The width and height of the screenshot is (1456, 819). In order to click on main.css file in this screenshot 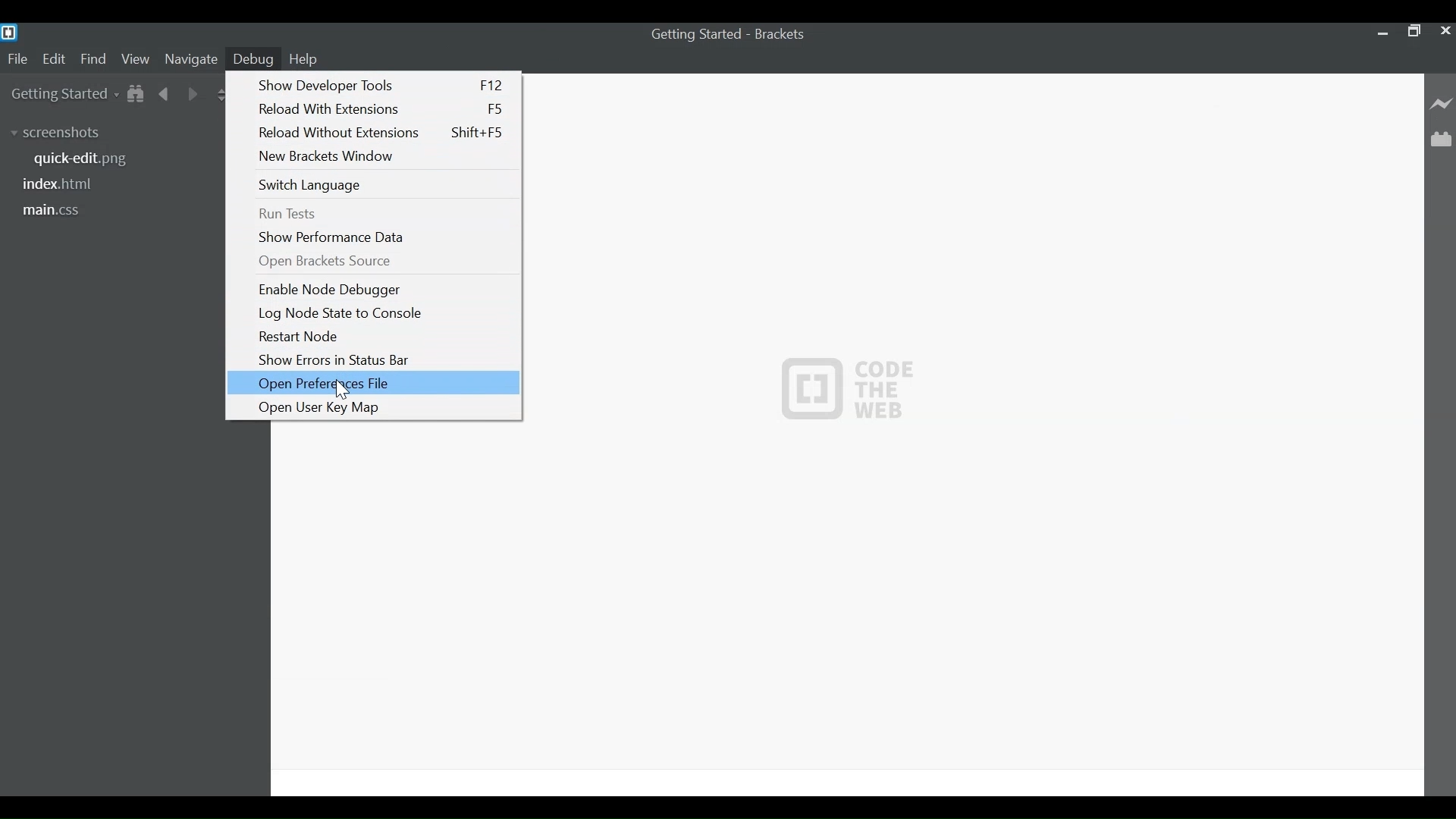, I will do `click(53, 211)`.